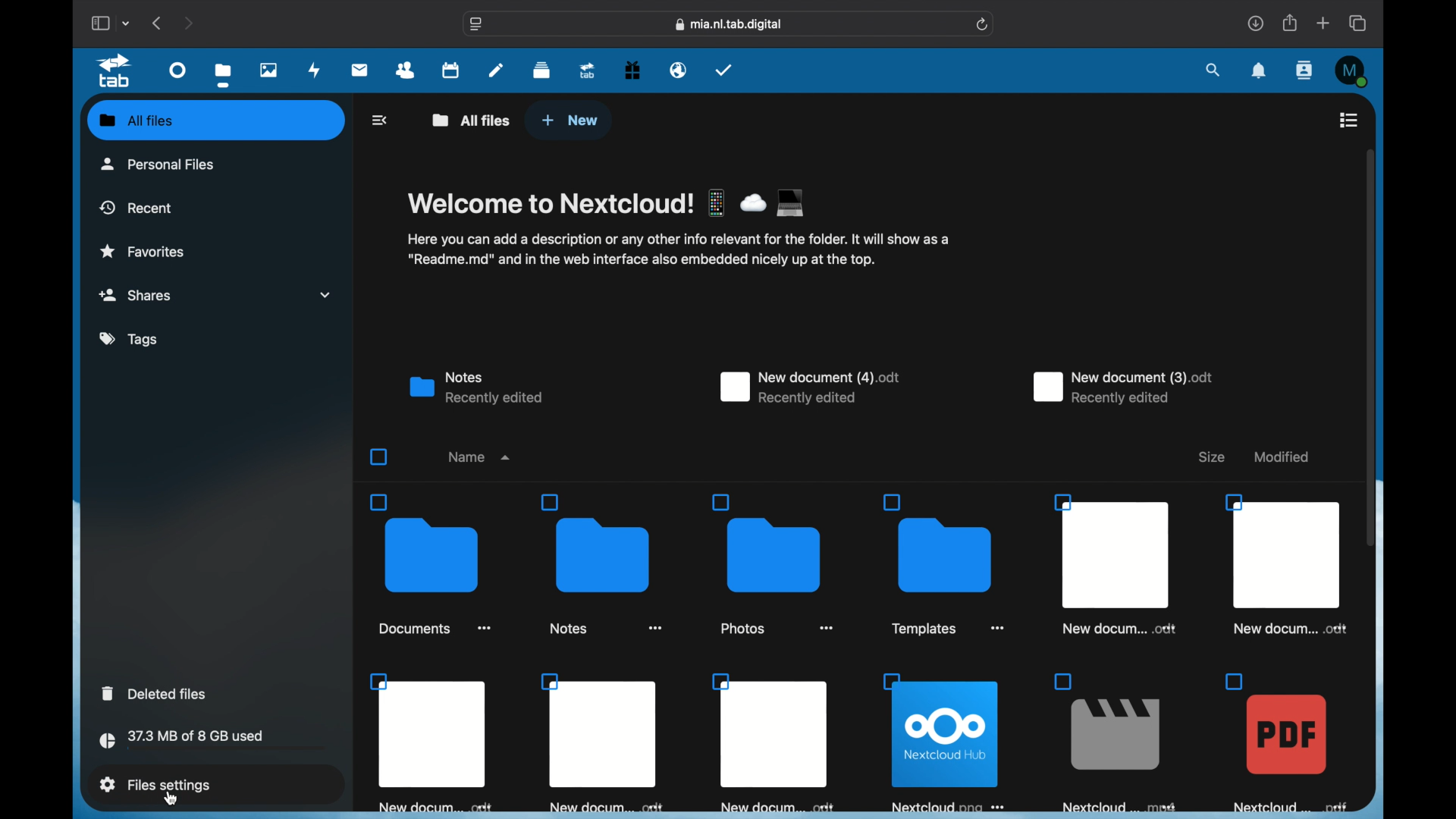  I want to click on all files, so click(469, 120).